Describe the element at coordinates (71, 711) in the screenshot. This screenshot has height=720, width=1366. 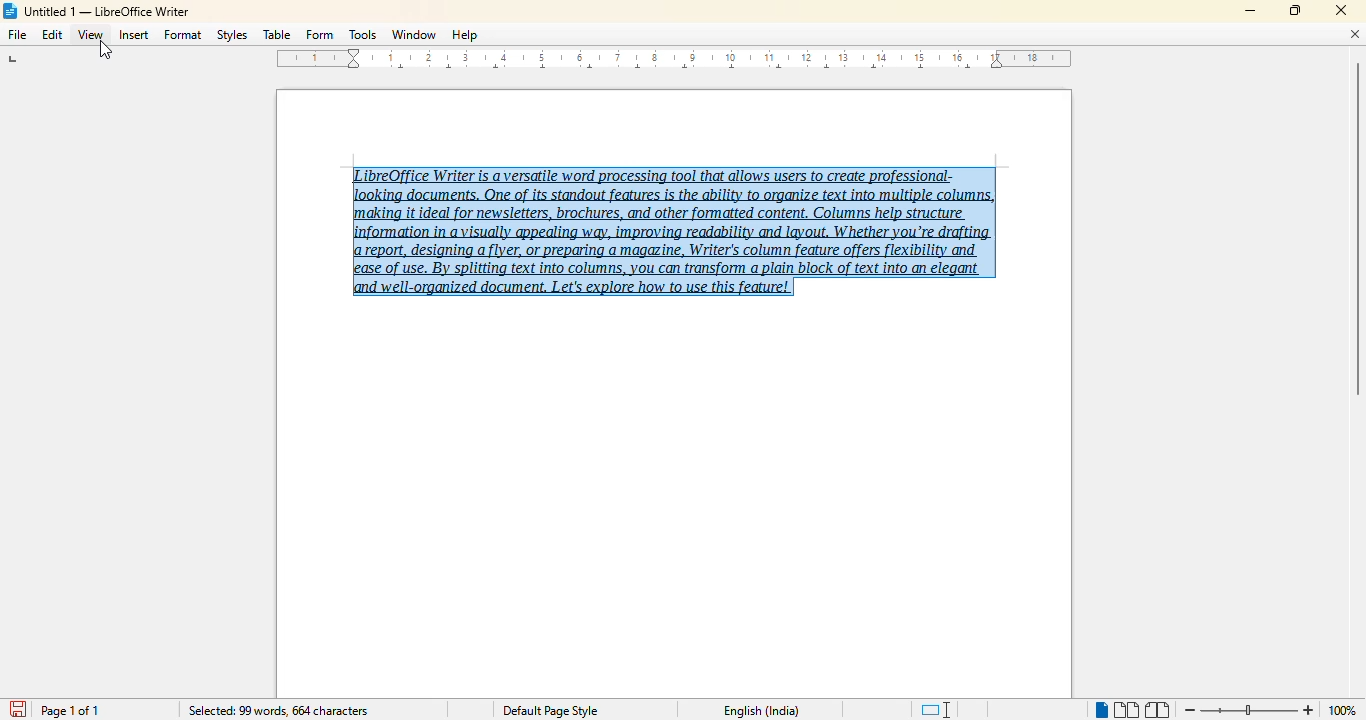
I see `page 1 of 1` at that location.